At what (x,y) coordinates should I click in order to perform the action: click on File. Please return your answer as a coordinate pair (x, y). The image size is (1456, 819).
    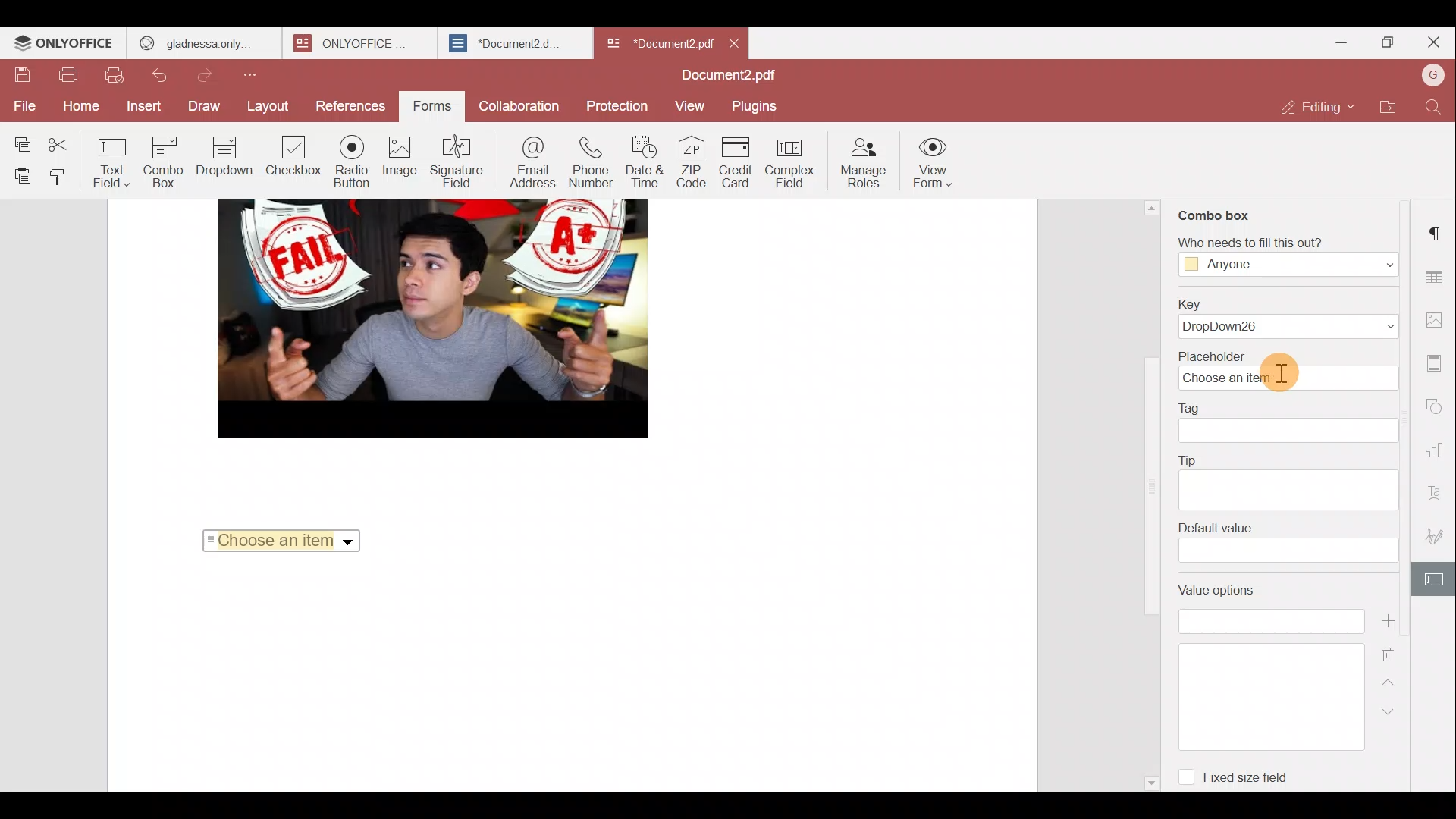
    Looking at the image, I should click on (21, 105).